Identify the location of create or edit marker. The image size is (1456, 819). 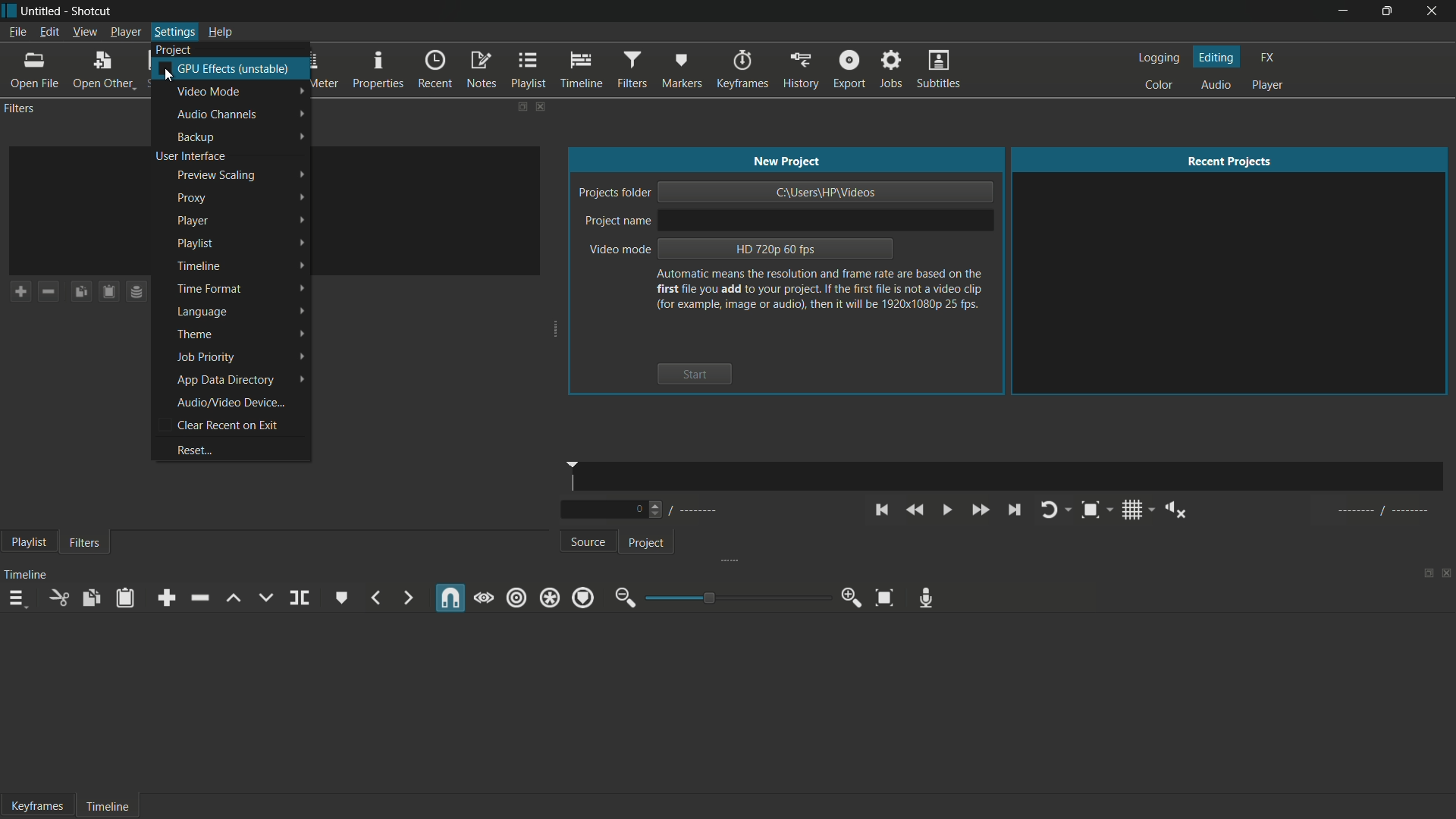
(339, 597).